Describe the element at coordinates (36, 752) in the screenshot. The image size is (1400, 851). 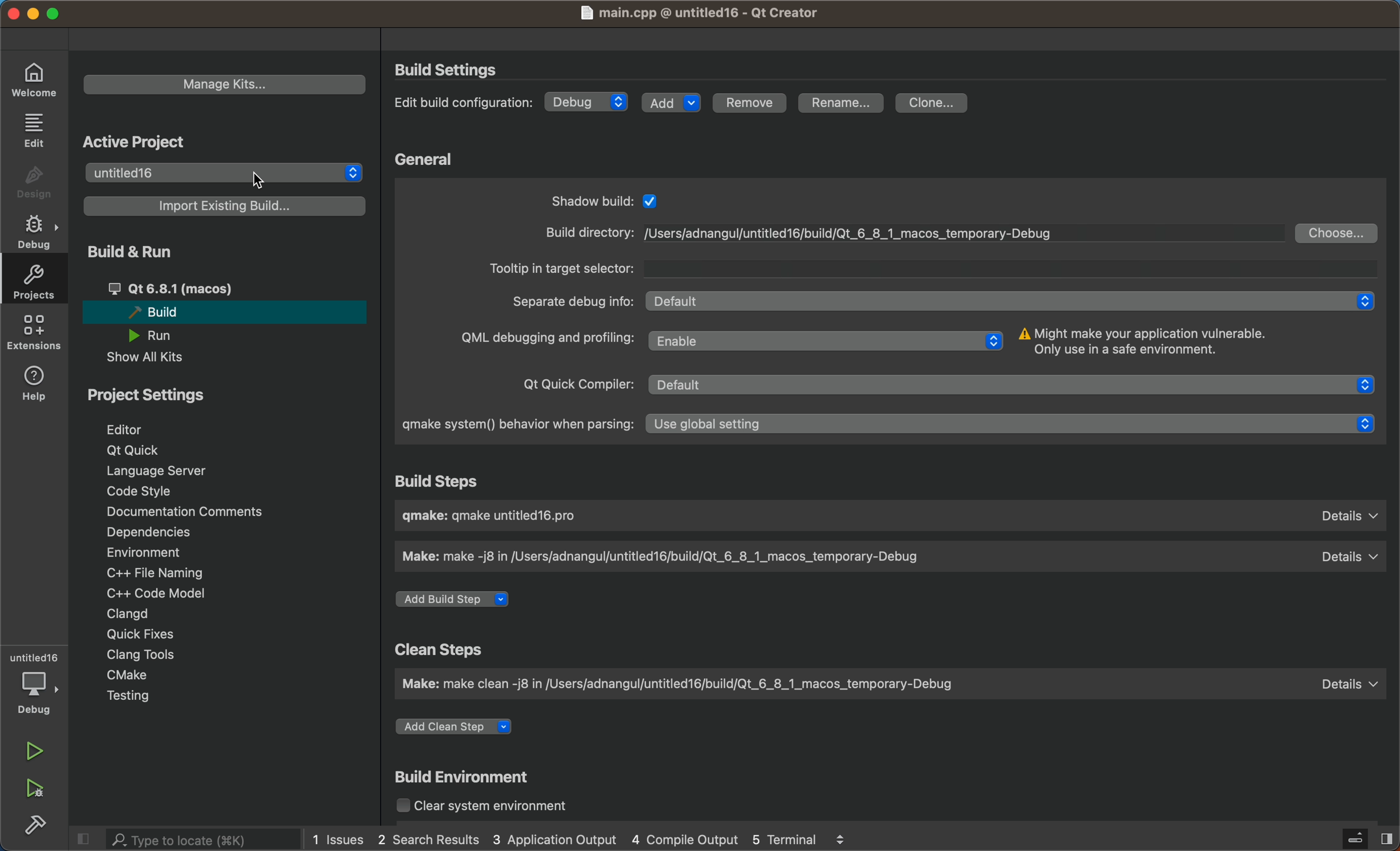
I see `run` at that location.